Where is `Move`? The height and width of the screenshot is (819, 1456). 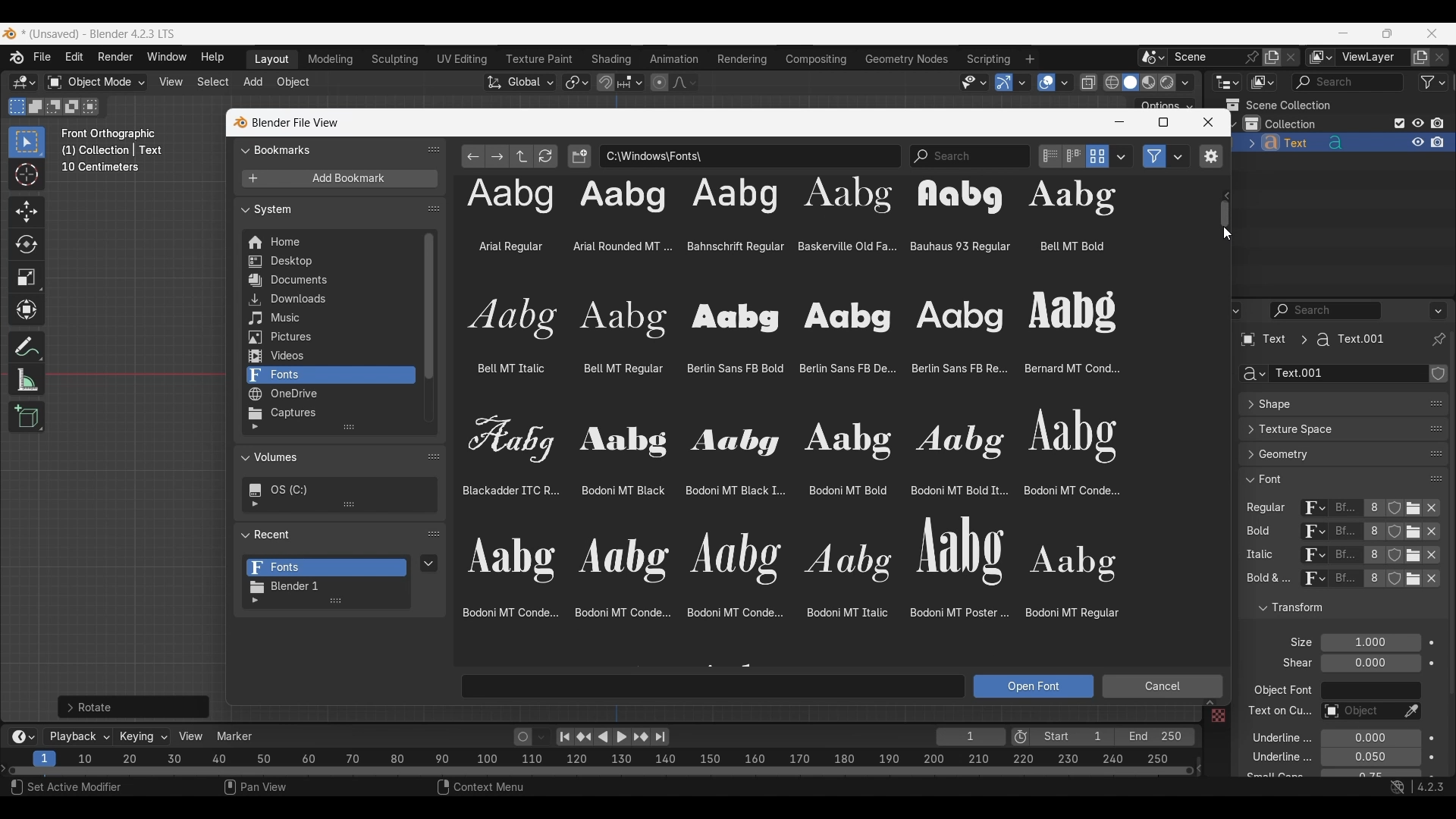 Move is located at coordinates (27, 212).